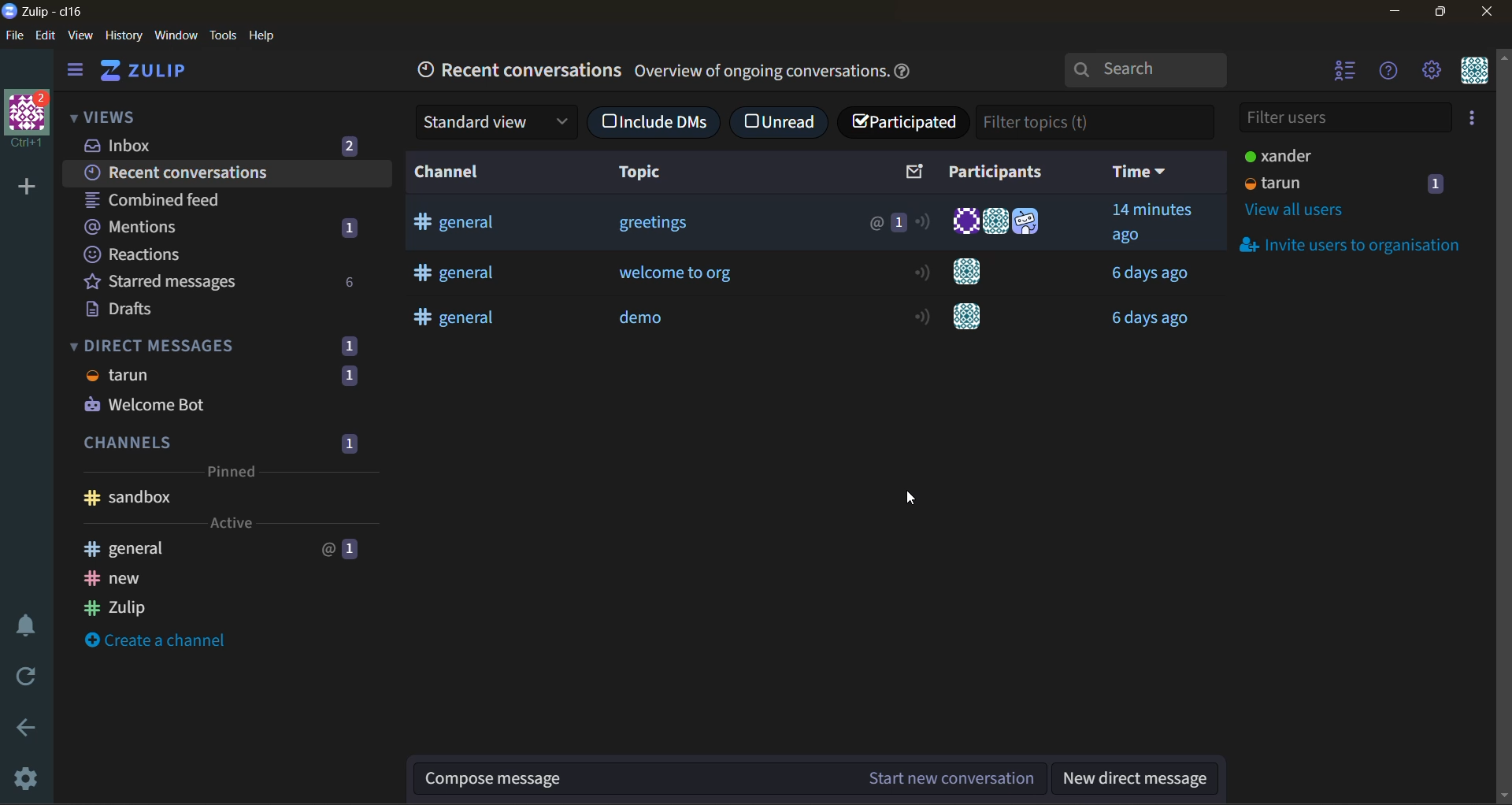 This screenshot has height=805, width=1512. Describe the element at coordinates (448, 175) in the screenshot. I see `channel` at that location.